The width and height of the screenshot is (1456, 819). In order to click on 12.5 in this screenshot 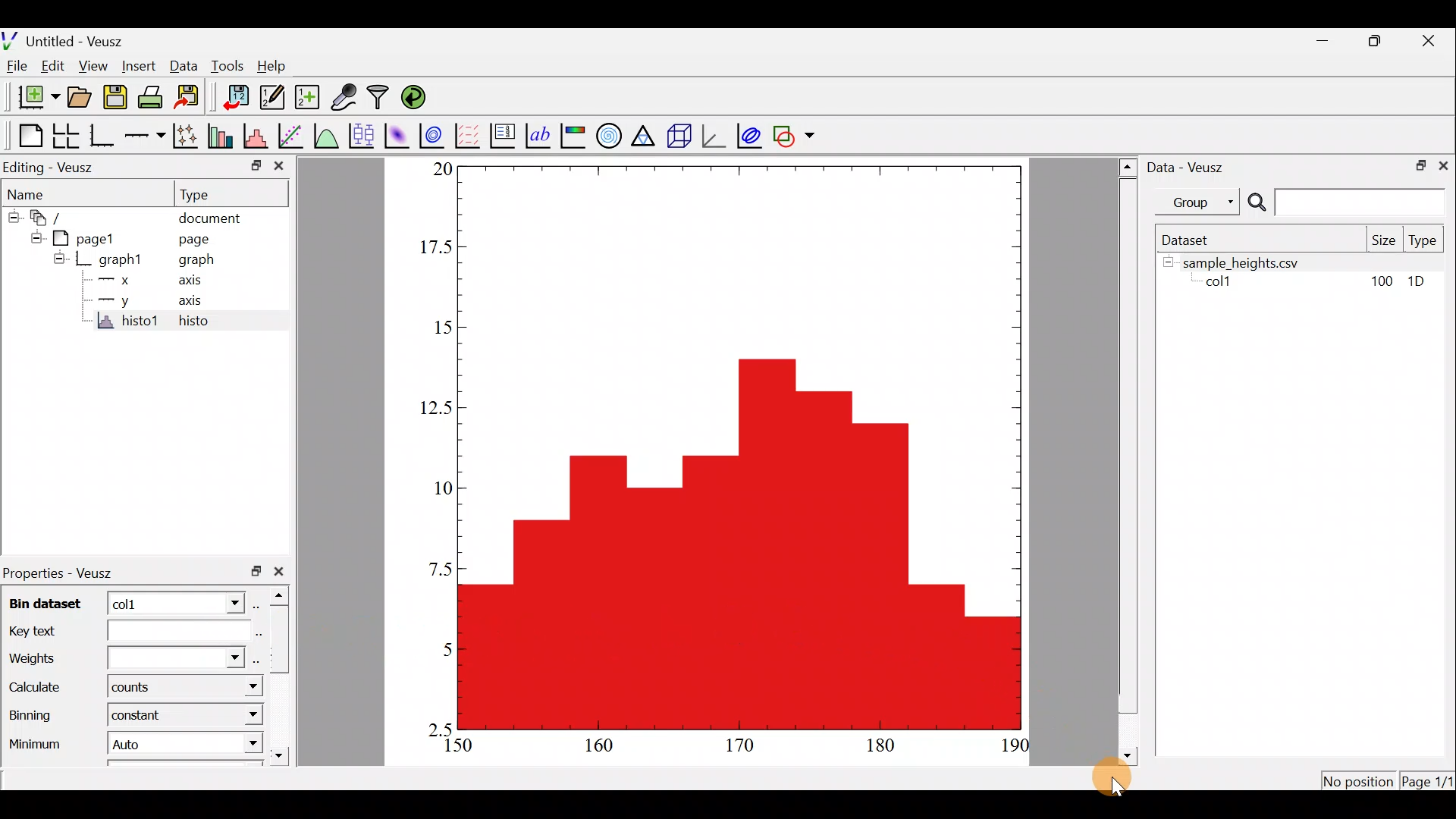, I will do `click(435, 408)`.